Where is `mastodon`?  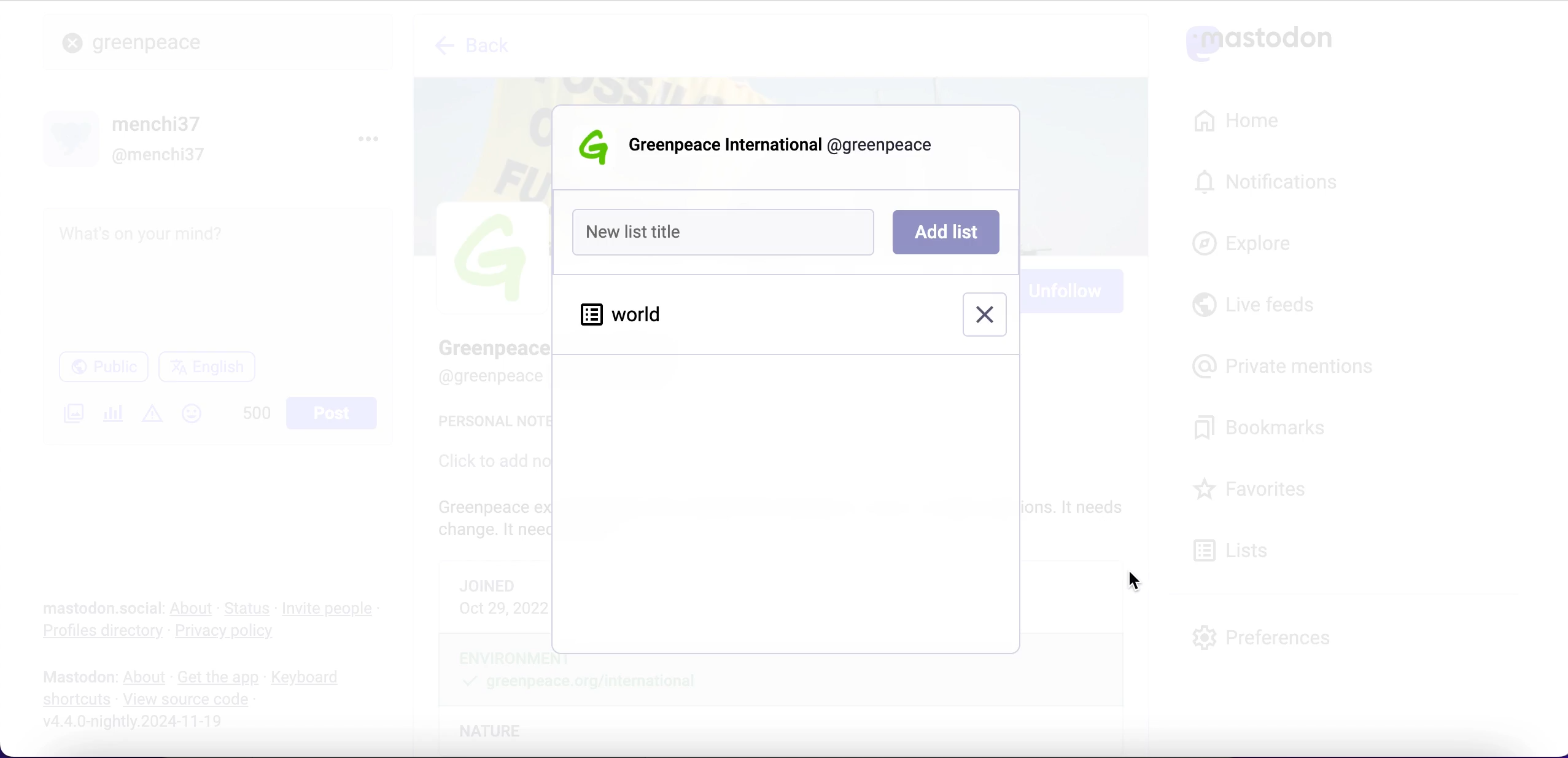 mastodon is located at coordinates (79, 677).